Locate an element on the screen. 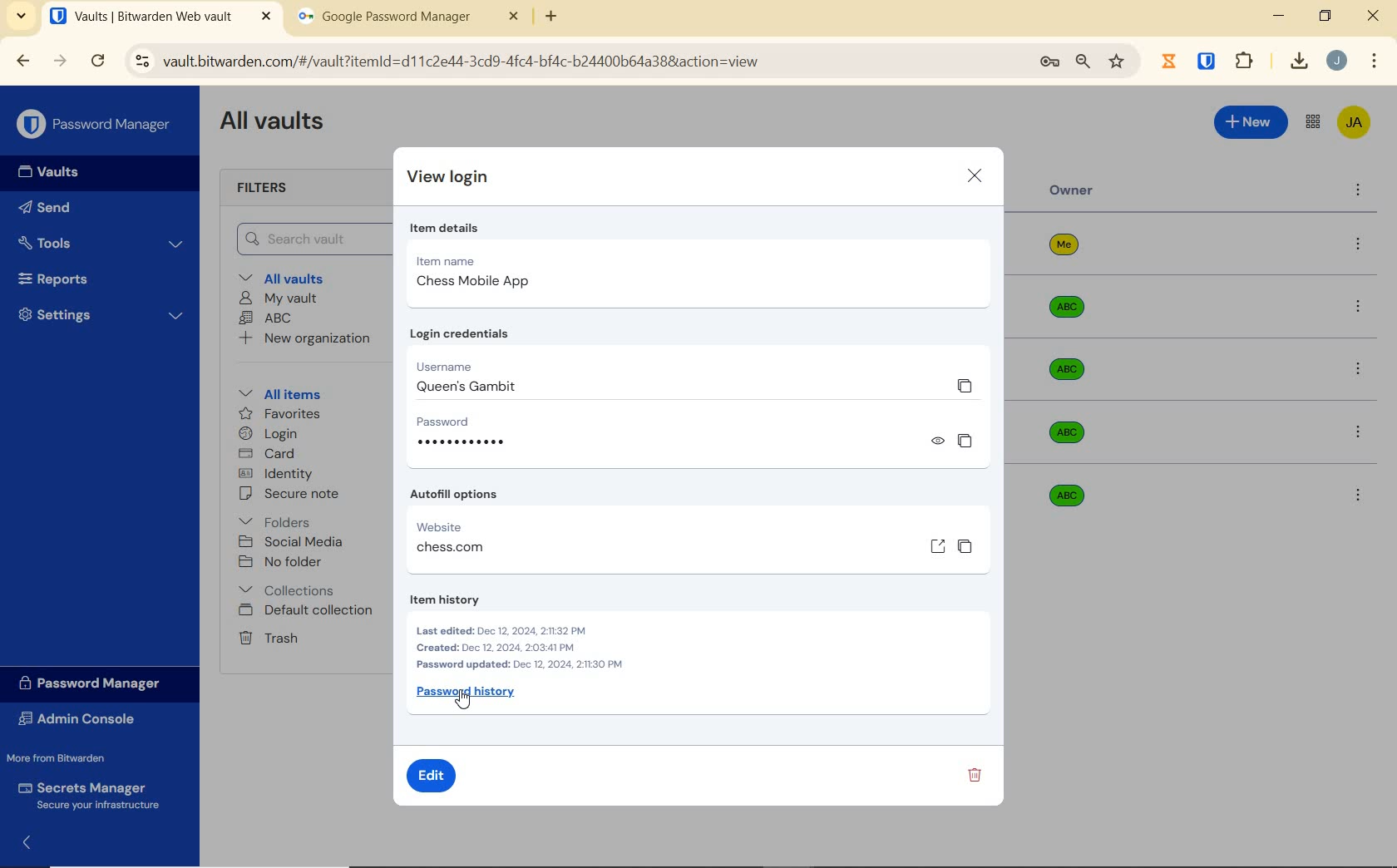 Image resolution: width=1397 pixels, height=868 pixels. bookmark is located at coordinates (1118, 62).